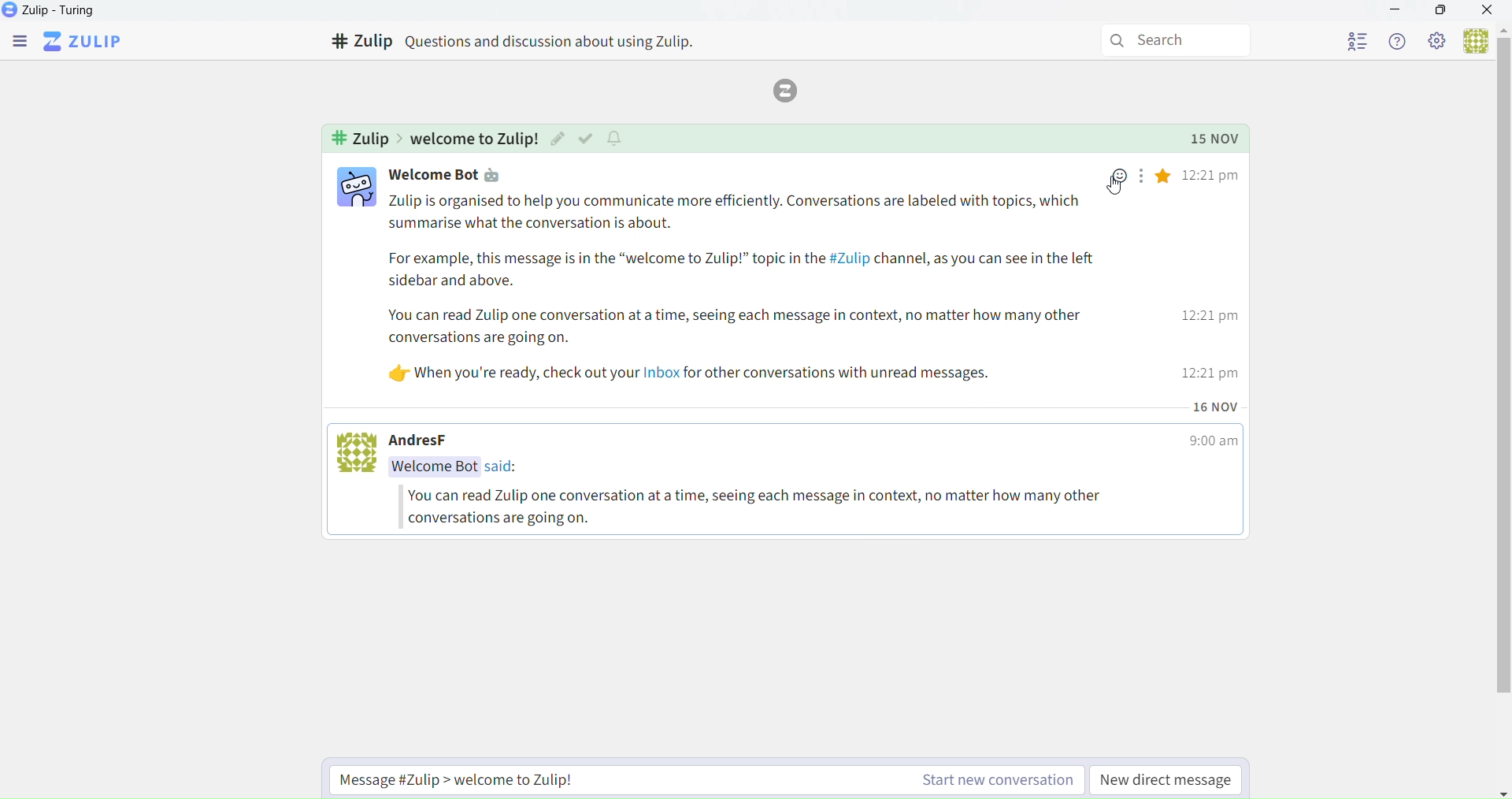 The width and height of the screenshot is (1512, 799). Describe the element at coordinates (1140, 179) in the screenshot. I see `more options` at that location.